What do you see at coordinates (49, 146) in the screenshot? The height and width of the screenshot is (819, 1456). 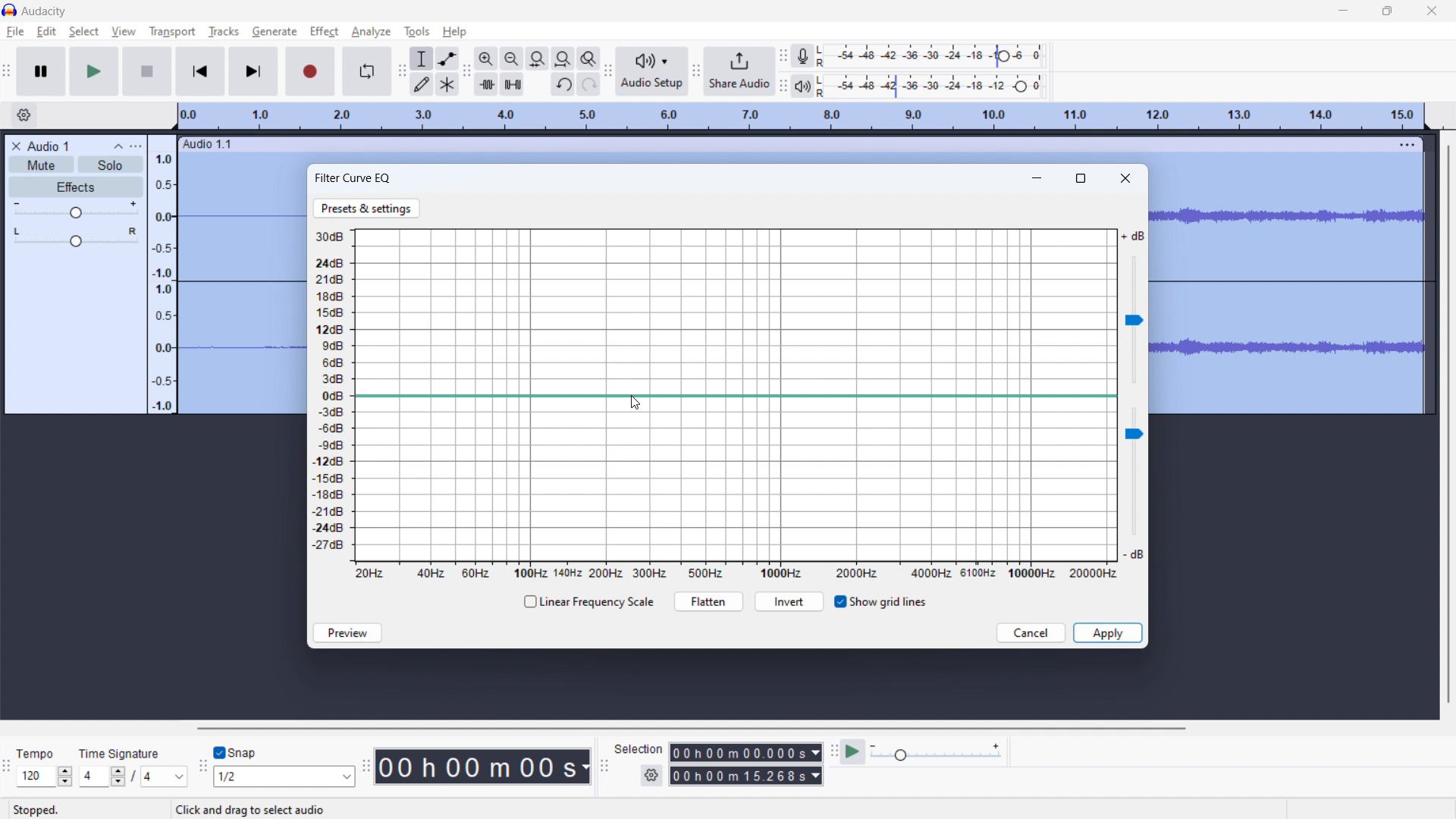 I see `project title` at bounding box center [49, 146].